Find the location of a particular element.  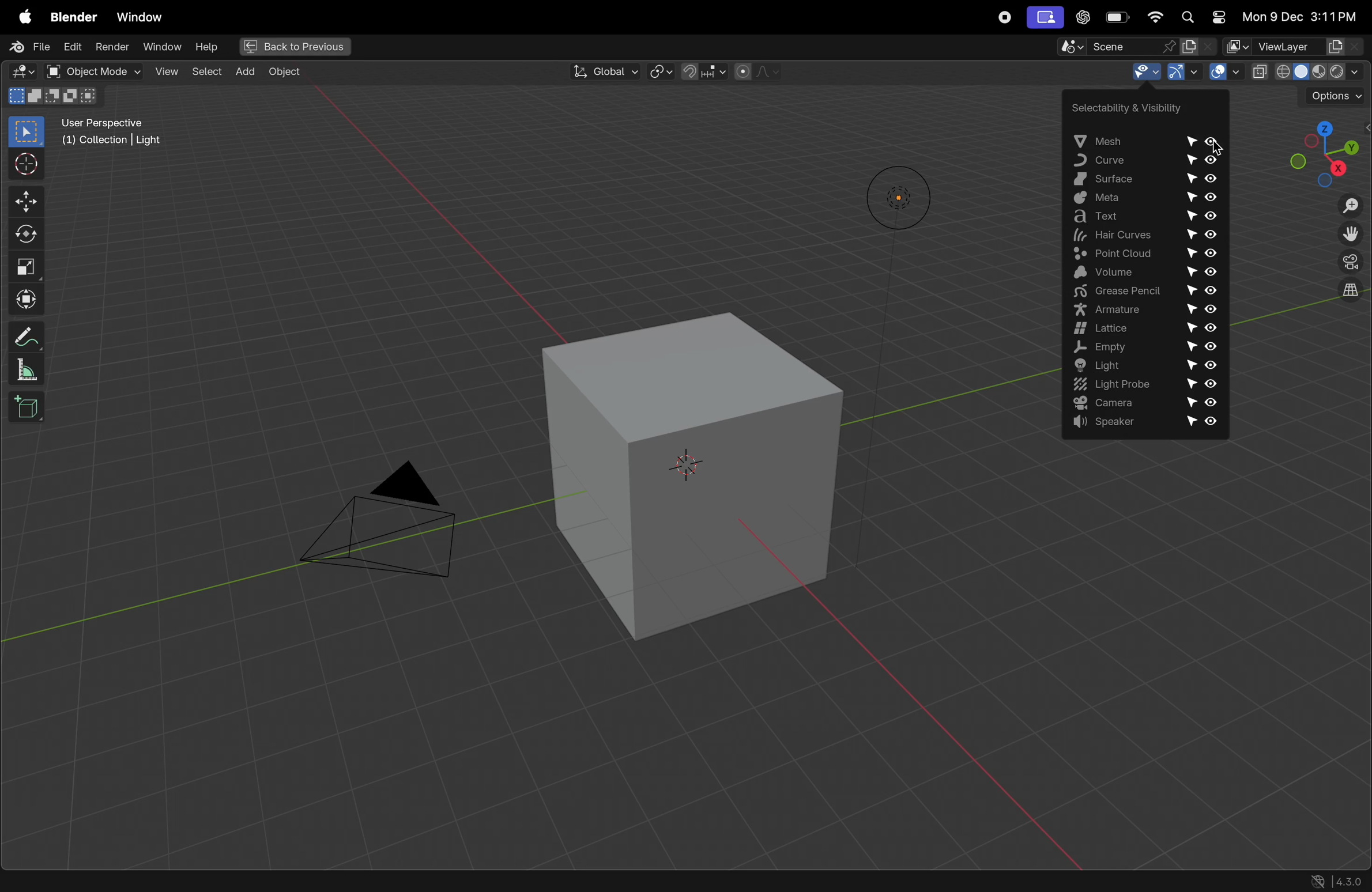

transform is located at coordinates (25, 300).